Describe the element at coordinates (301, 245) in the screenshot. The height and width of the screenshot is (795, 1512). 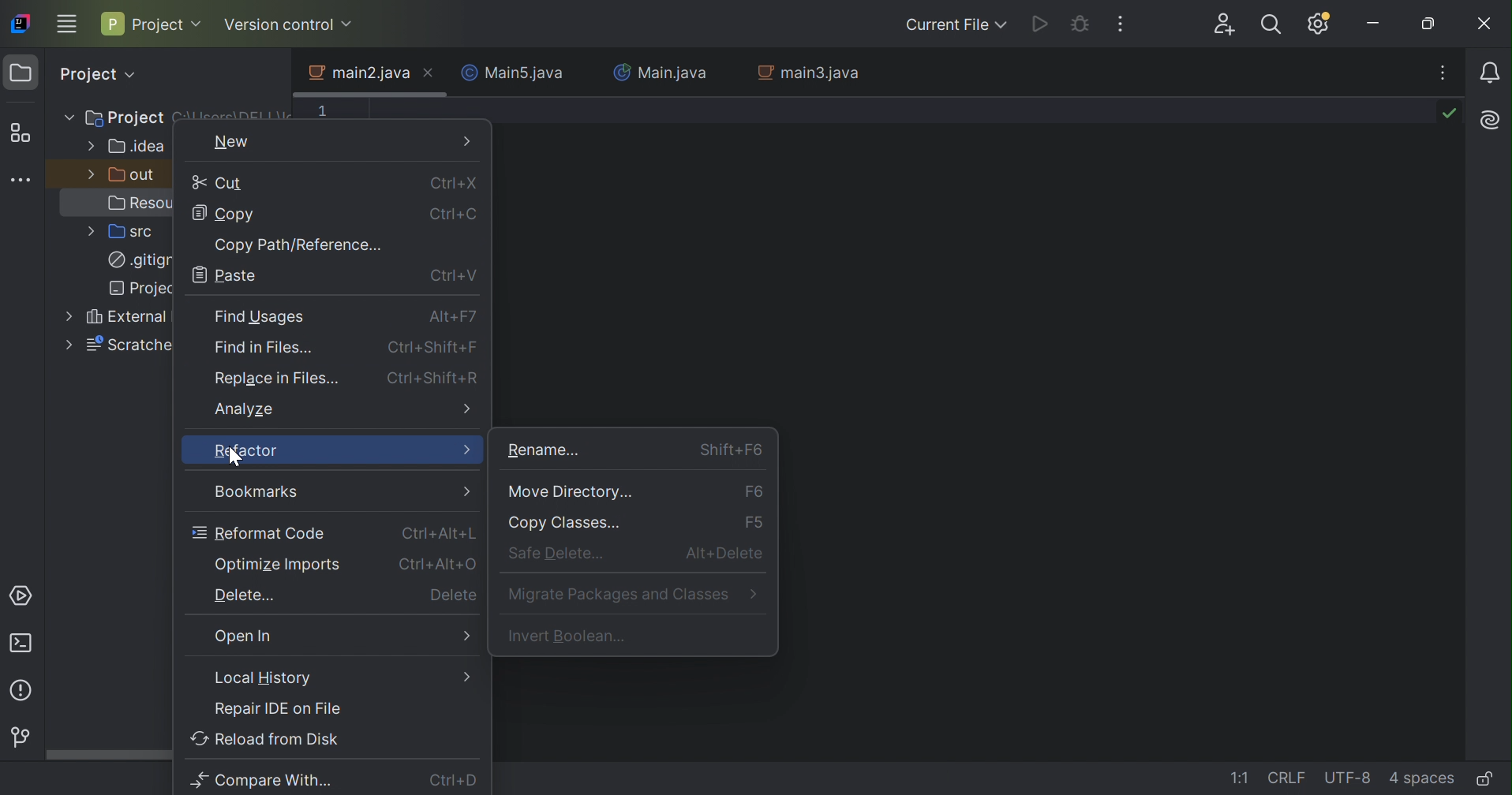
I see `Copy Path/Reference...` at that location.